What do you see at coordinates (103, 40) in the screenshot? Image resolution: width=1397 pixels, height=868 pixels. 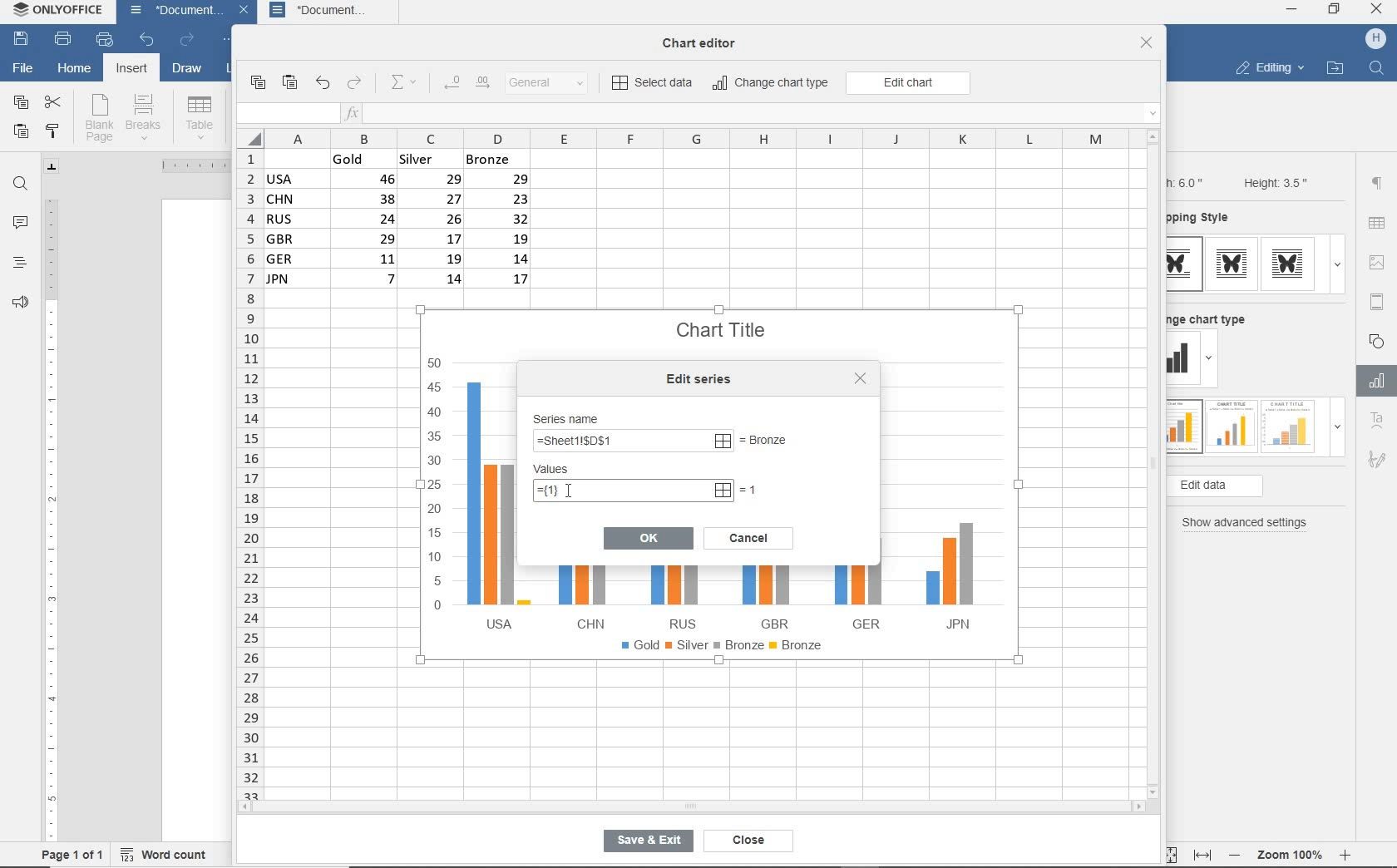 I see `quick print` at bounding box center [103, 40].